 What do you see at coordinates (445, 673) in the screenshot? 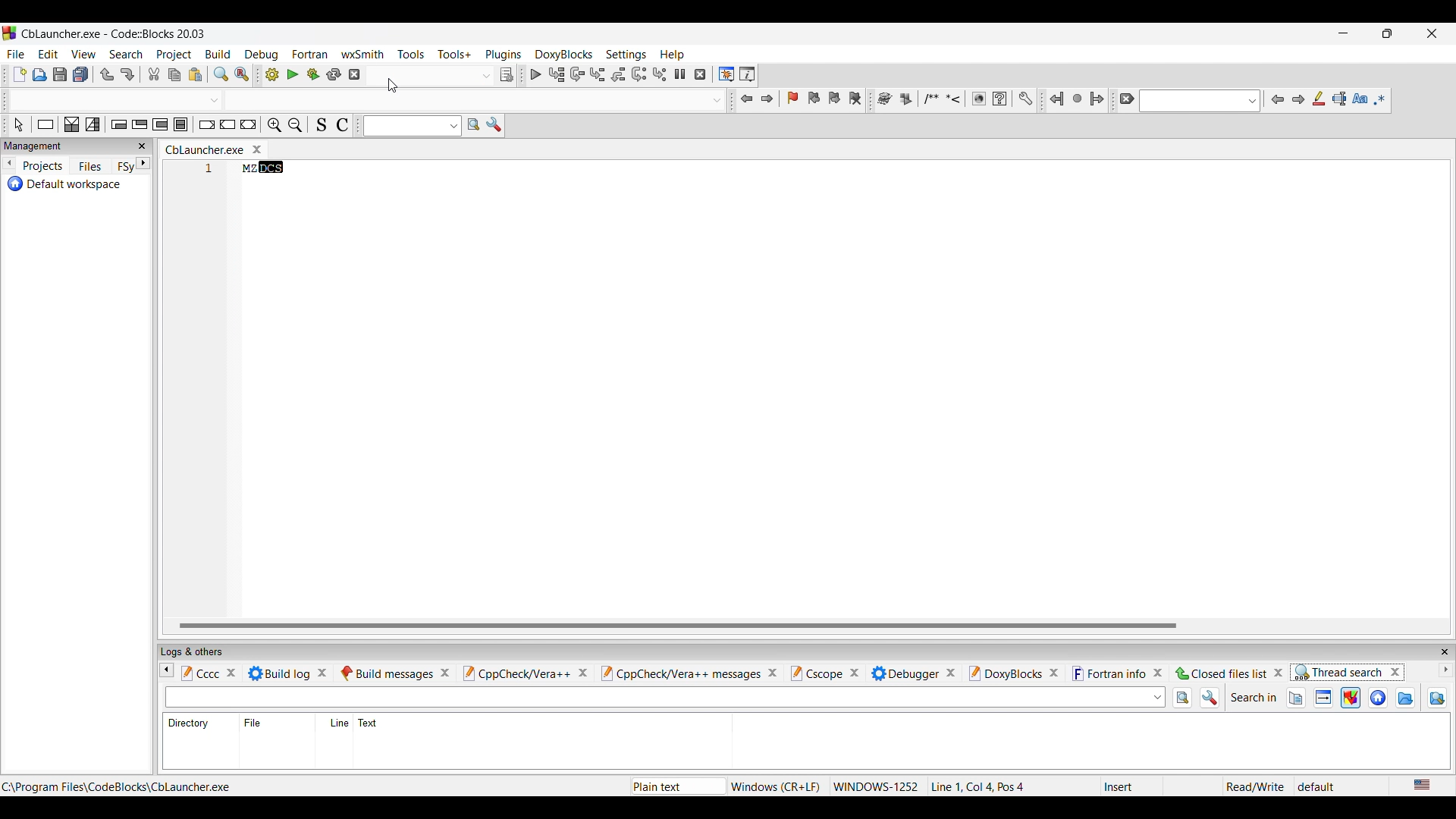
I see `Close tab` at bounding box center [445, 673].